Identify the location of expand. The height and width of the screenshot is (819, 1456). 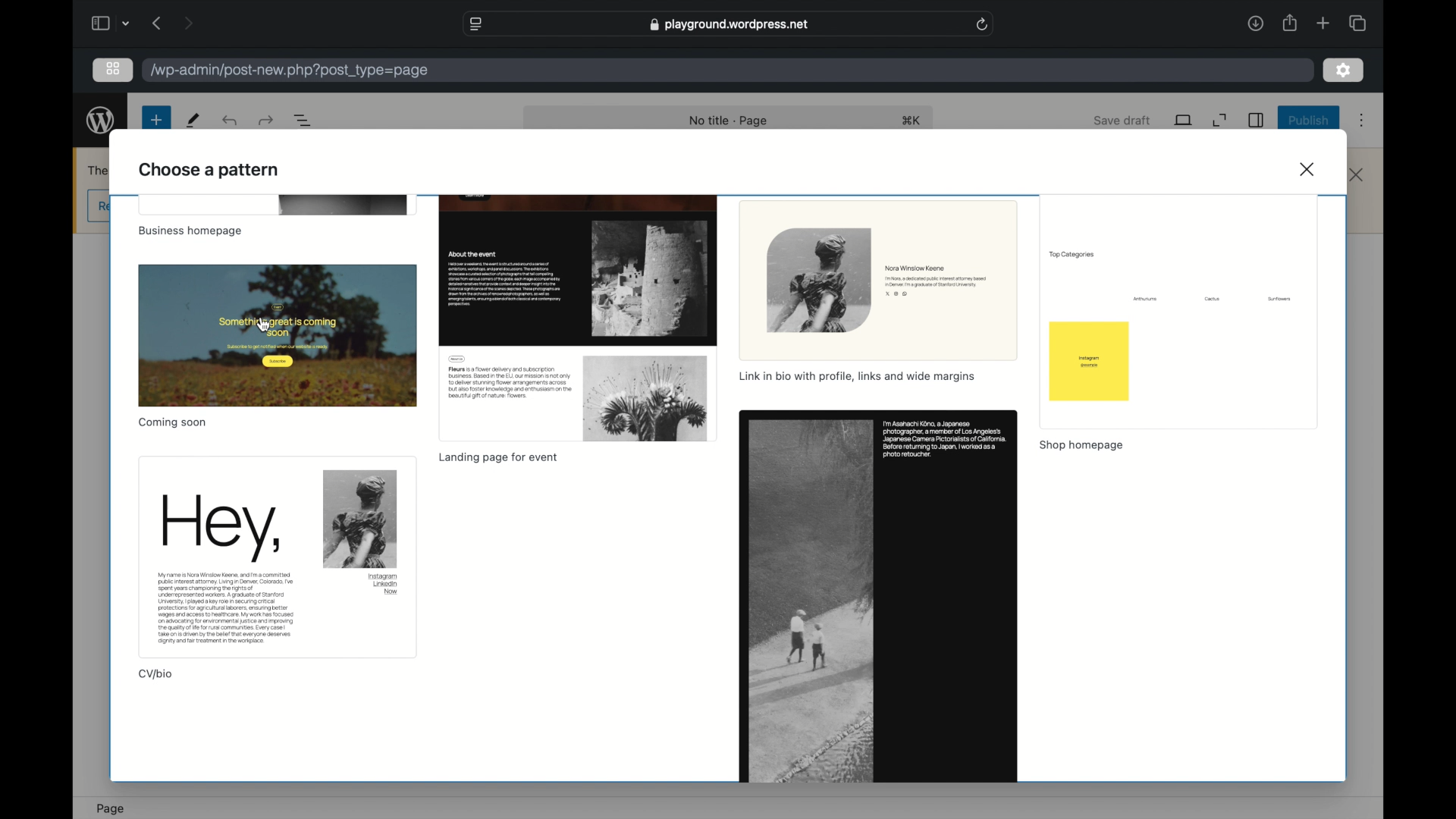
(1221, 121).